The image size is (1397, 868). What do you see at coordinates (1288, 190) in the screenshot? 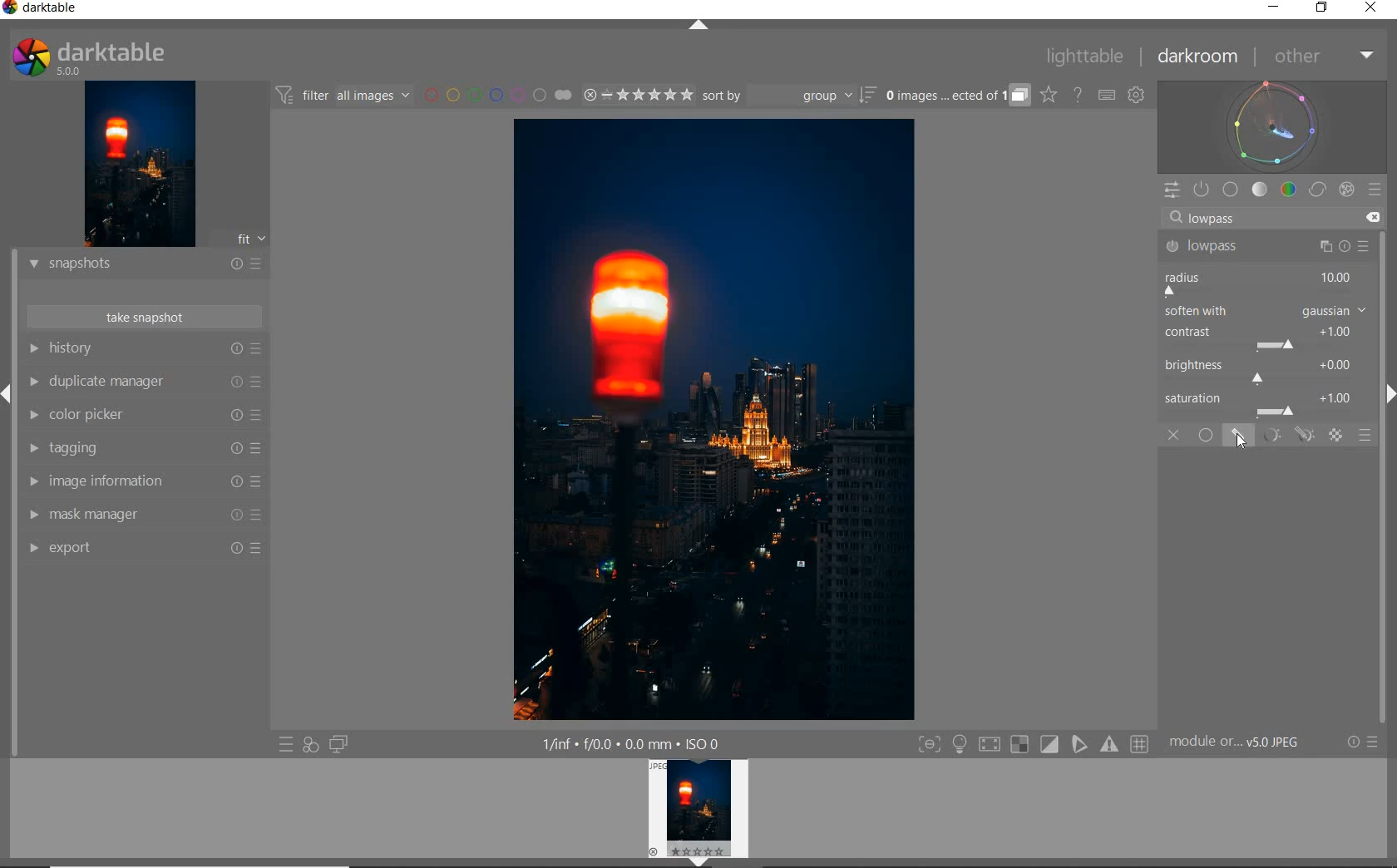
I see `COLOR` at bounding box center [1288, 190].